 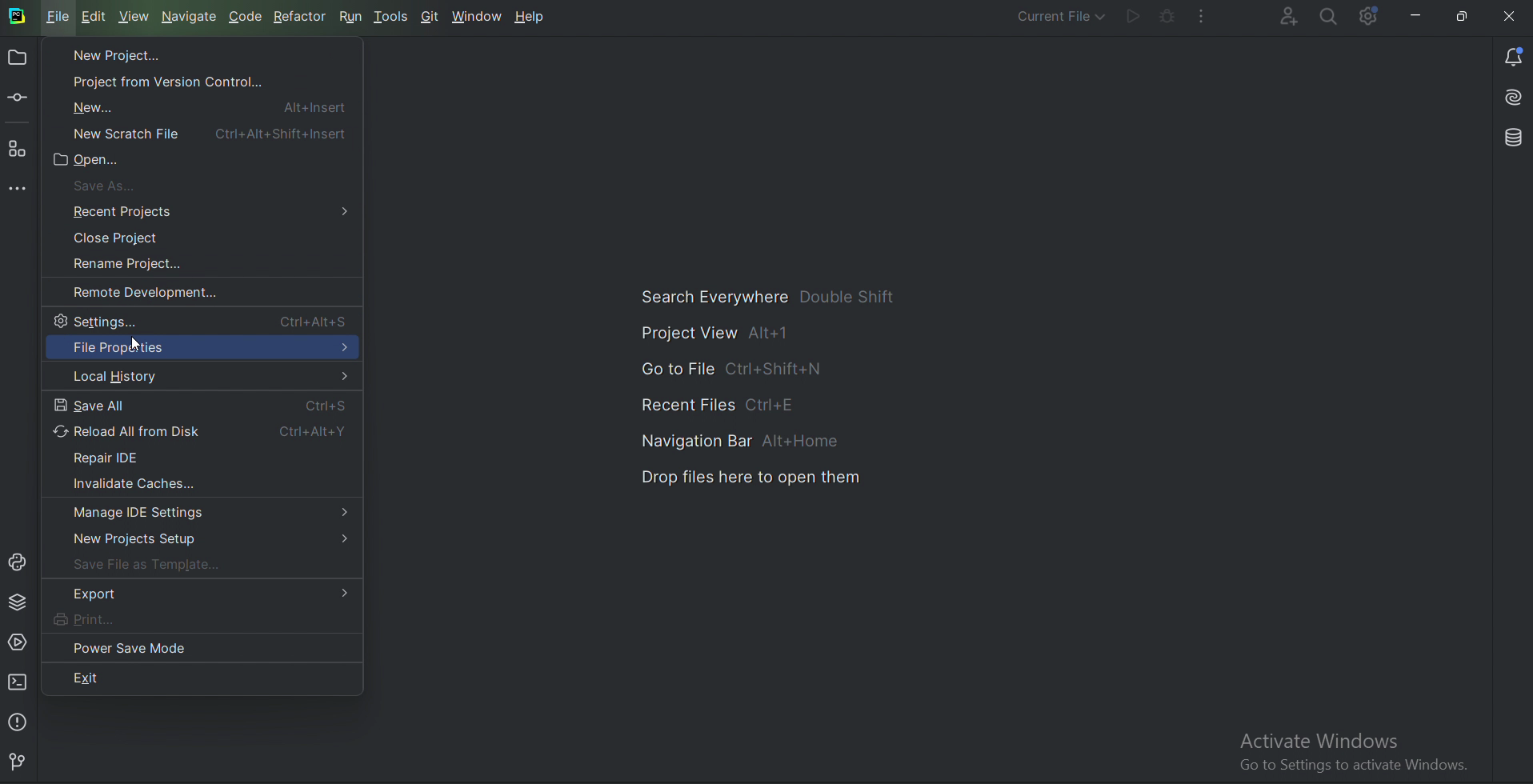 What do you see at coordinates (1060, 14) in the screenshot?
I see `Current file` at bounding box center [1060, 14].